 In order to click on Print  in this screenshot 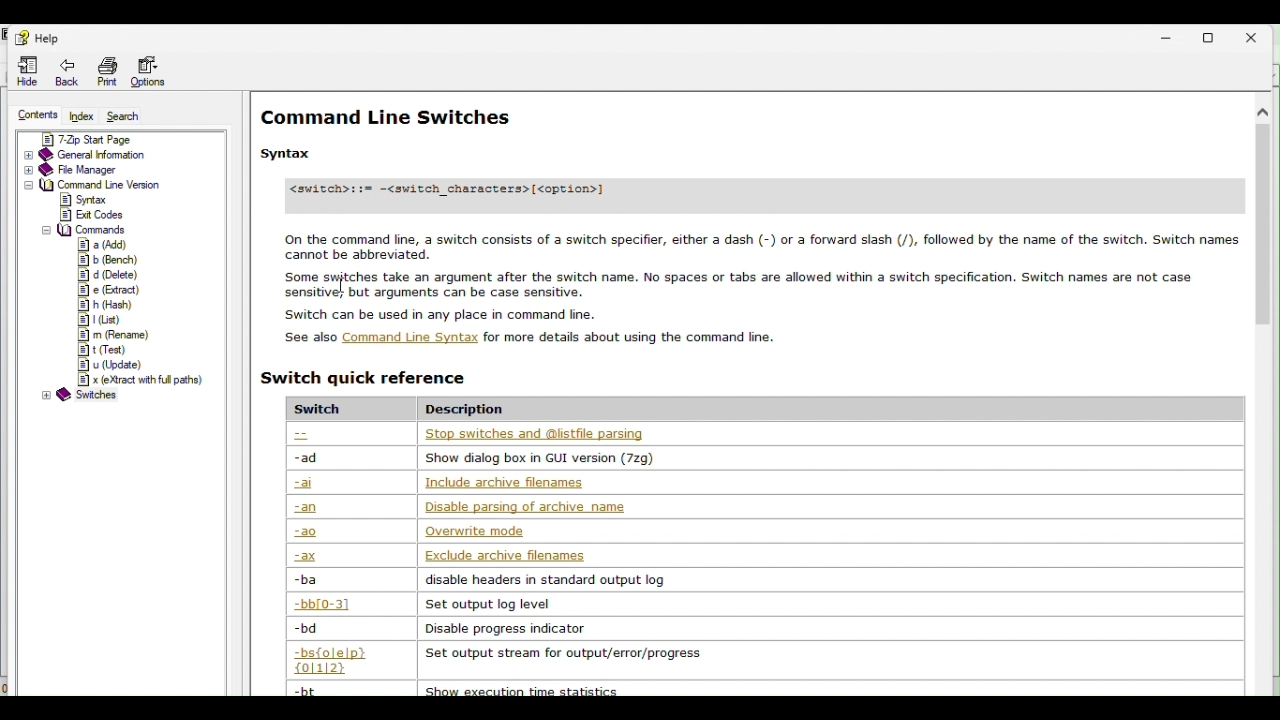, I will do `click(110, 70)`.